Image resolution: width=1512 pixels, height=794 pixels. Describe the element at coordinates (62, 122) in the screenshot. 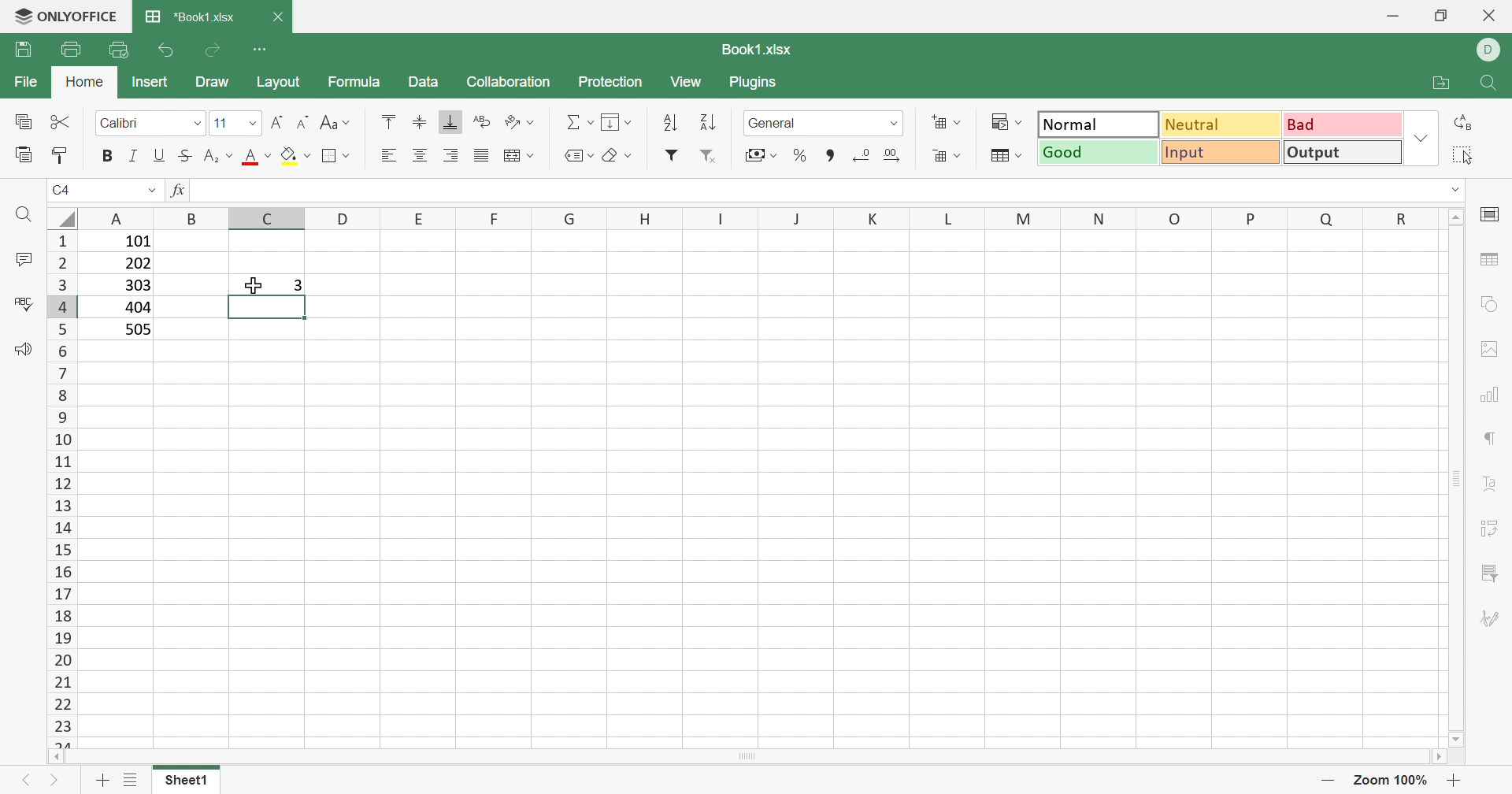

I see `Cut` at that location.